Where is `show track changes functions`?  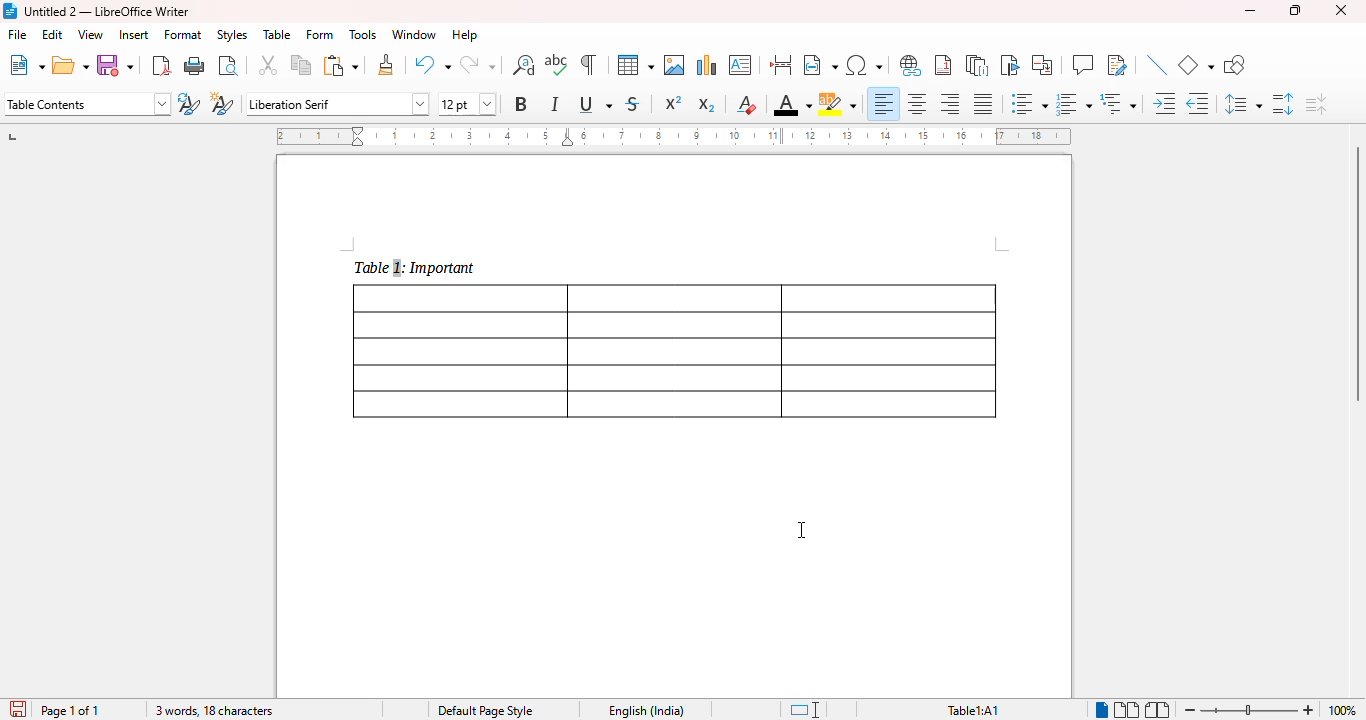
show track changes functions is located at coordinates (1118, 64).